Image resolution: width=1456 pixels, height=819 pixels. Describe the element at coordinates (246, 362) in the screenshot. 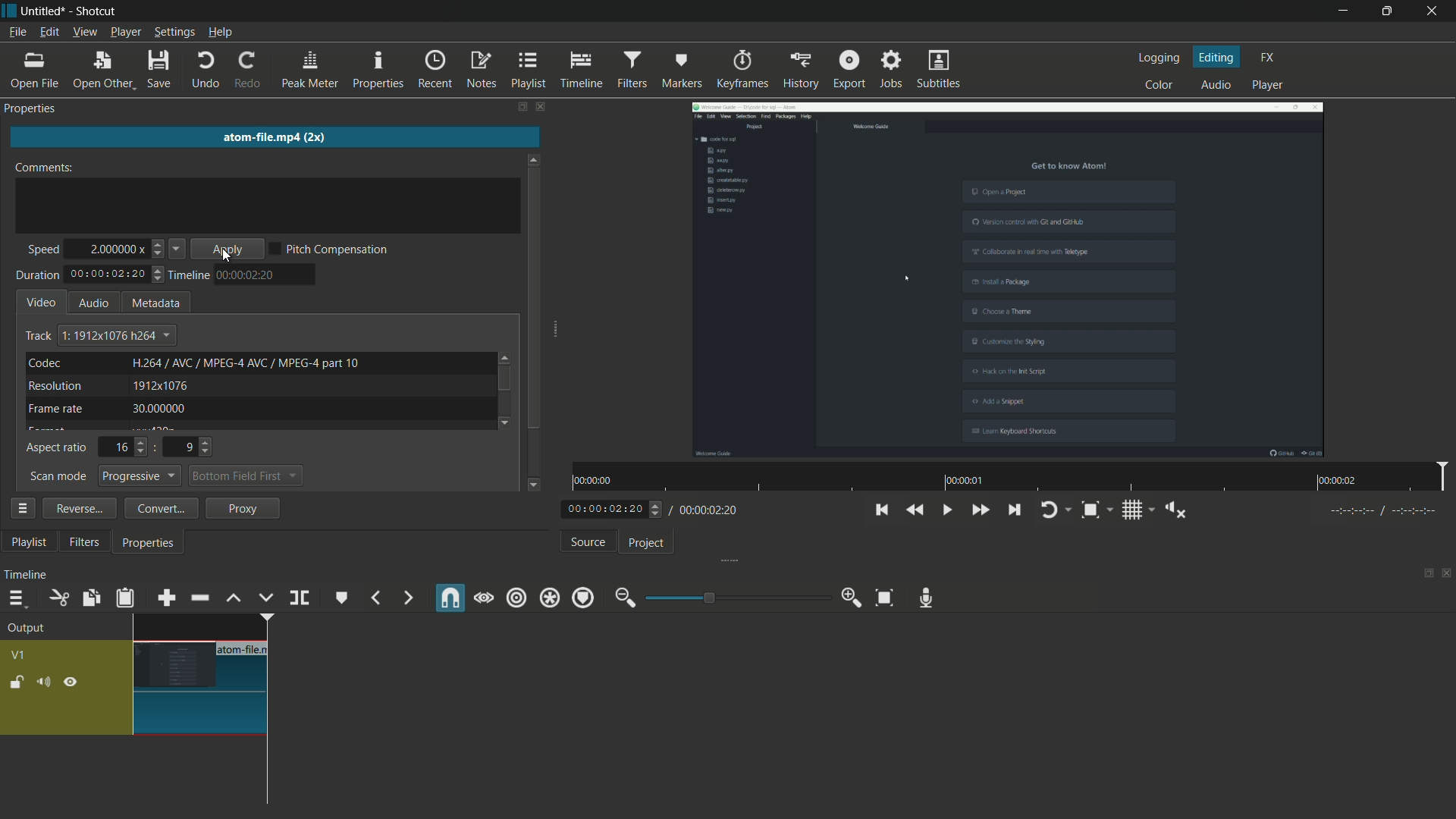

I see `text` at that location.